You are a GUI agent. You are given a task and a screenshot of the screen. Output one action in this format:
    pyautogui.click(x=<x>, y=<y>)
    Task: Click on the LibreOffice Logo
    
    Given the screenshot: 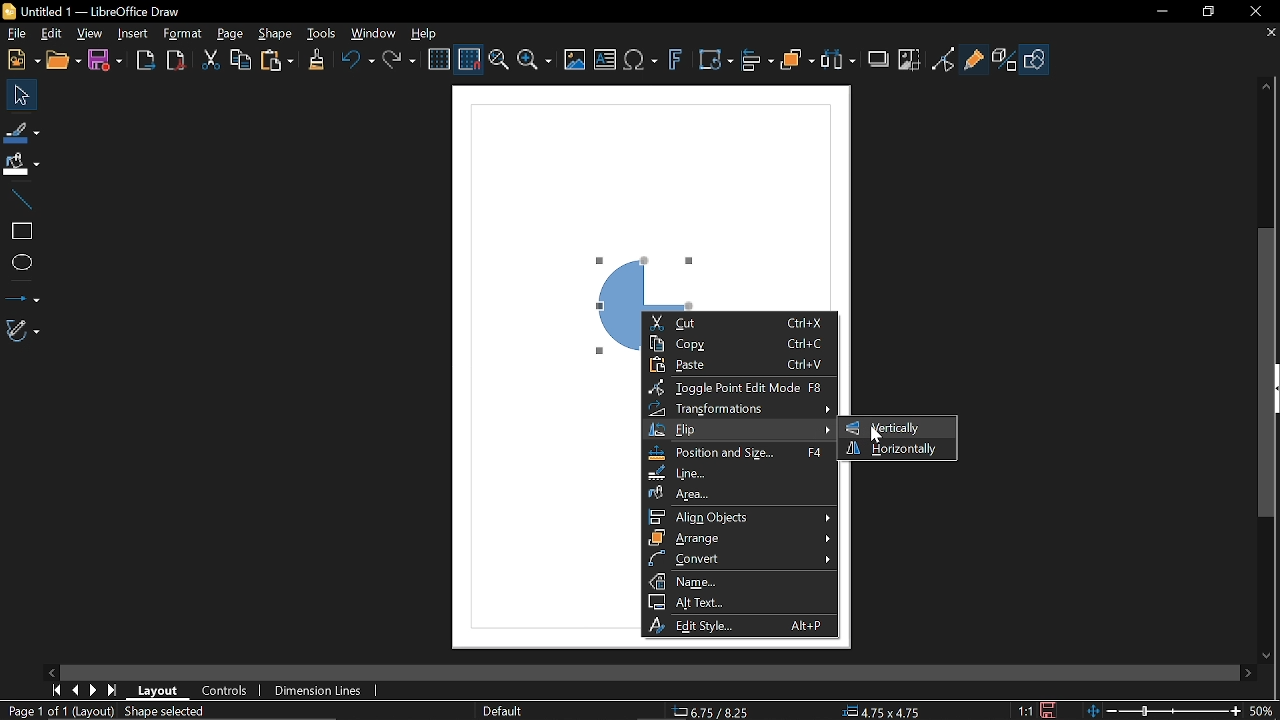 What is the action you would take?
    pyautogui.click(x=10, y=11)
    